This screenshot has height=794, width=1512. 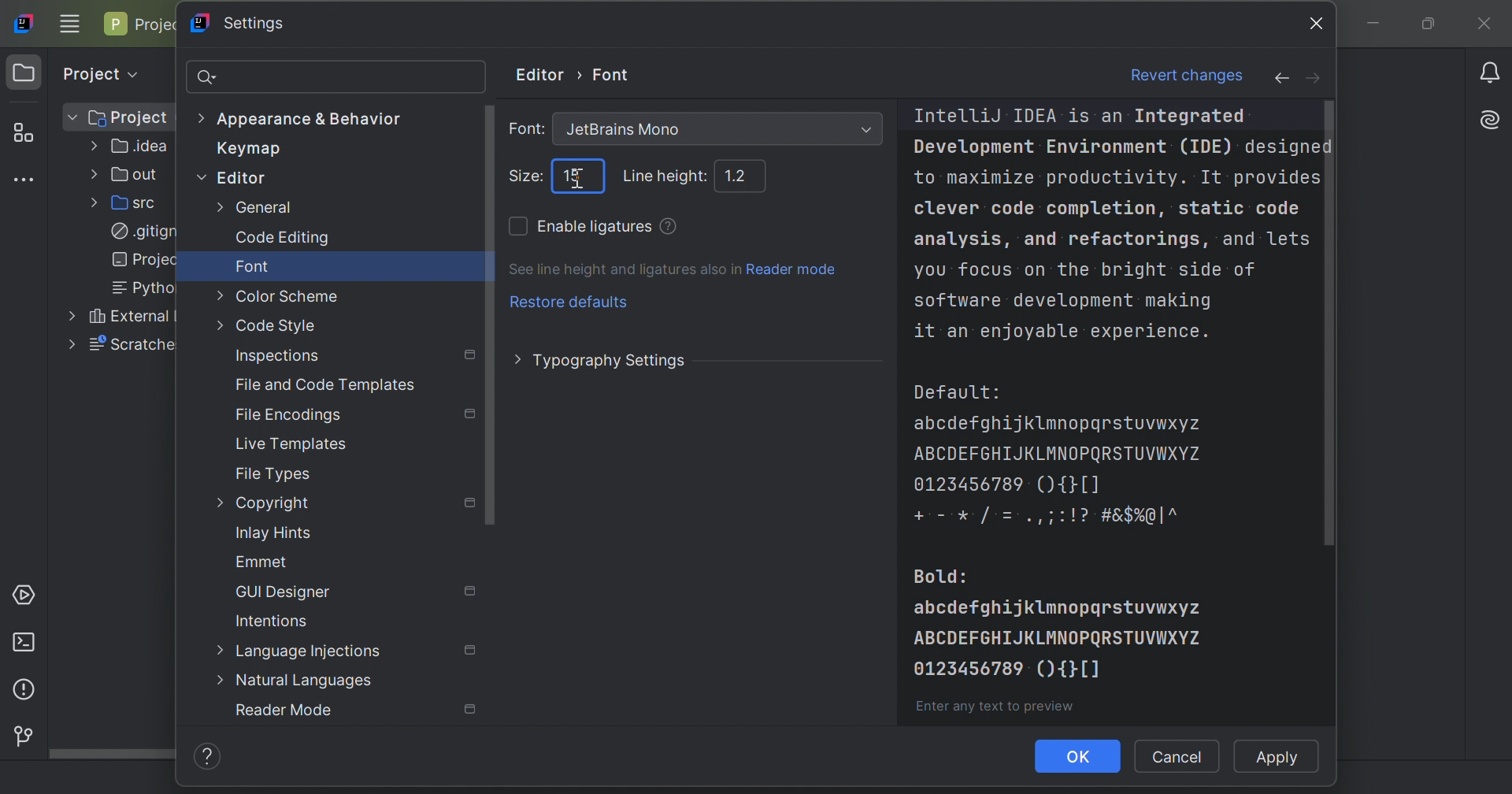 What do you see at coordinates (242, 150) in the screenshot?
I see `Keymap` at bounding box center [242, 150].